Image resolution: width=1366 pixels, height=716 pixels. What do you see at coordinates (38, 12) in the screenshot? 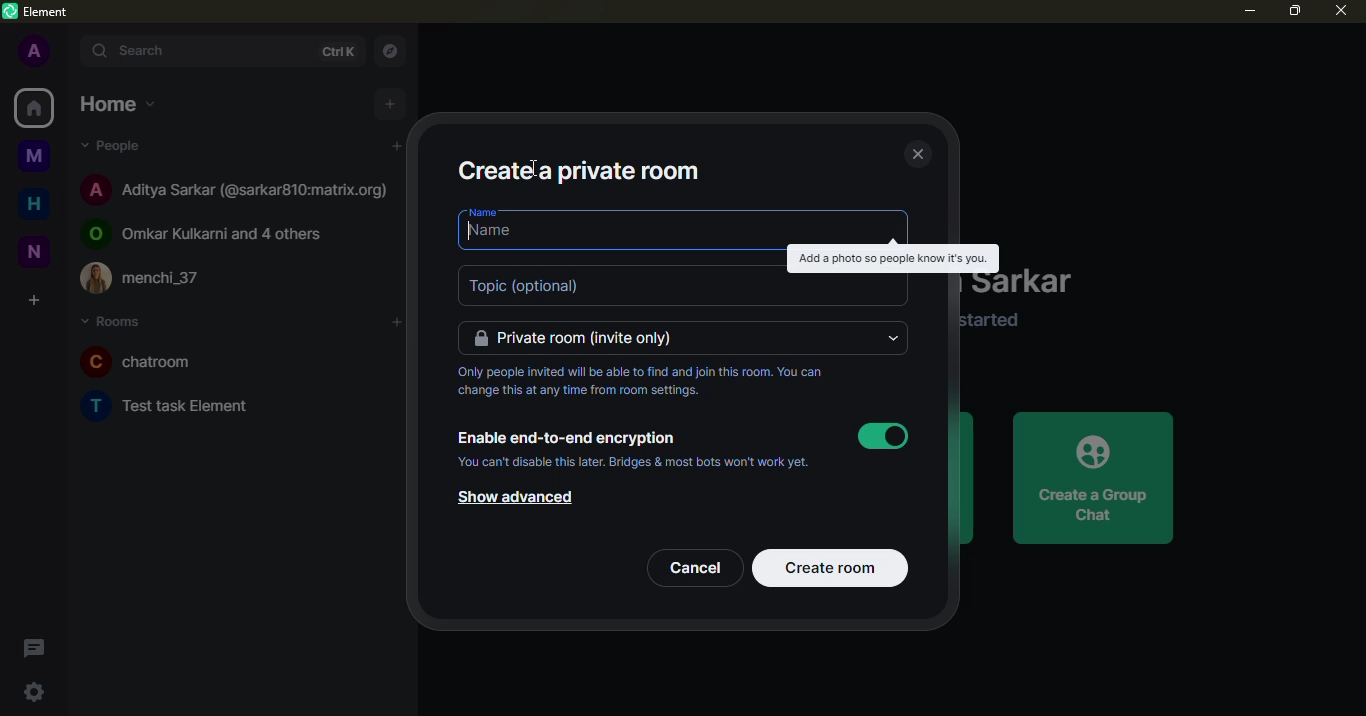
I see `element` at bounding box center [38, 12].